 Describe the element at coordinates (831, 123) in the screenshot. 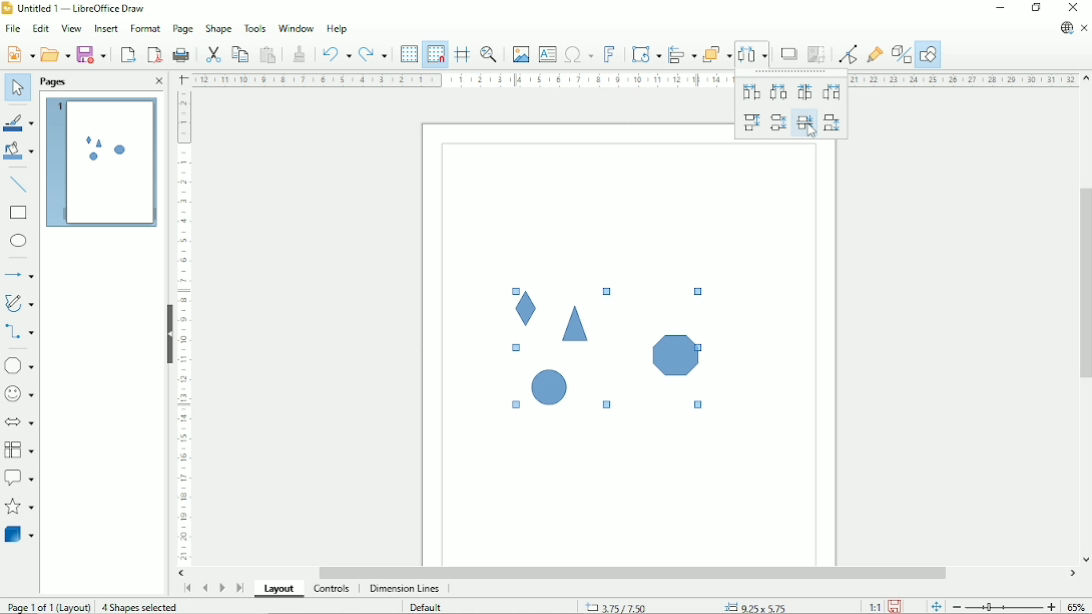

I see `Vertically bottom` at that location.